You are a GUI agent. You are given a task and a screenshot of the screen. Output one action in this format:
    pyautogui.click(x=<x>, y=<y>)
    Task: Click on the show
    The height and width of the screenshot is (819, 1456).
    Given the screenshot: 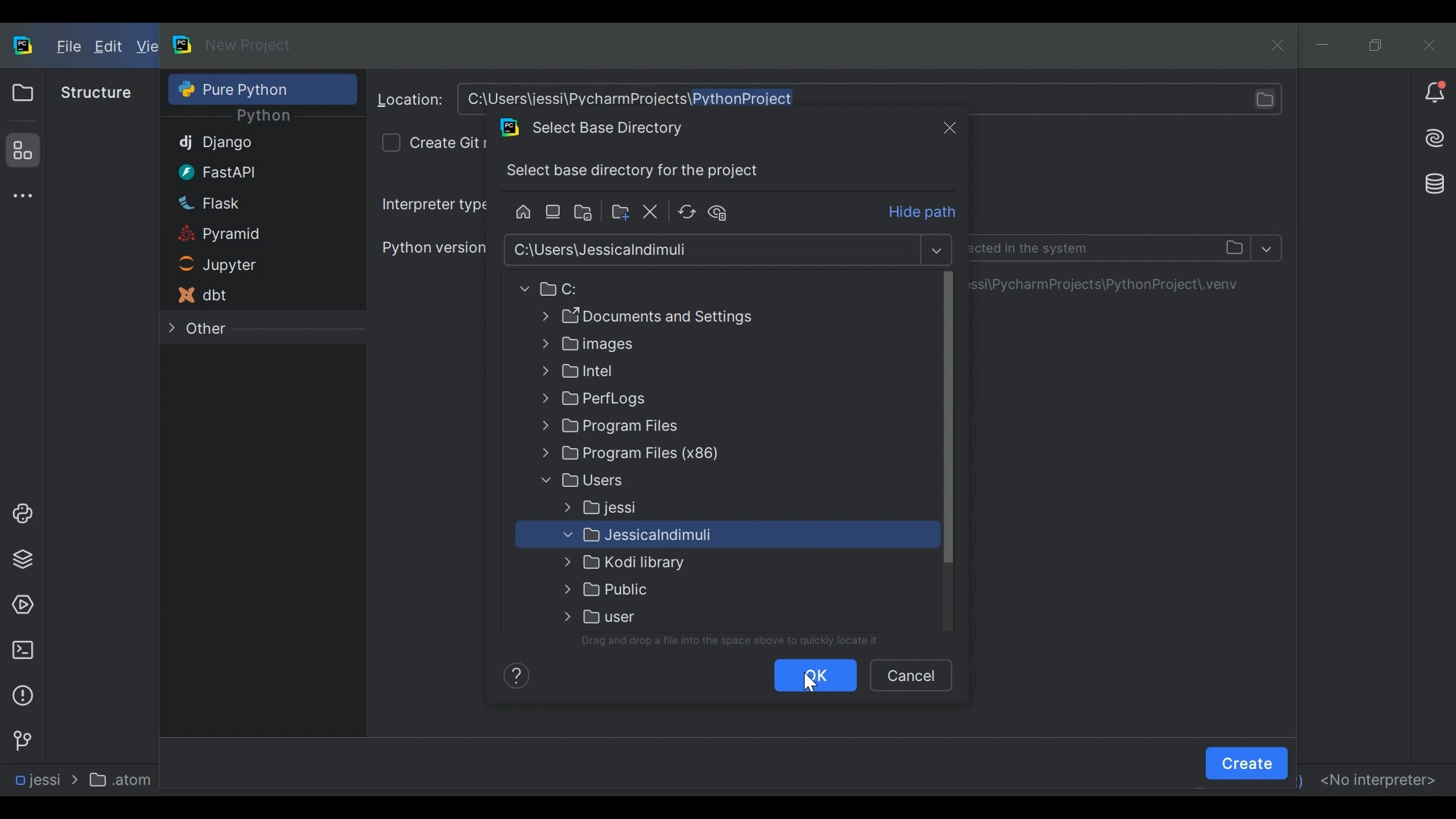 What is the action you would take?
    pyautogui.click(x=939, y=251)
    